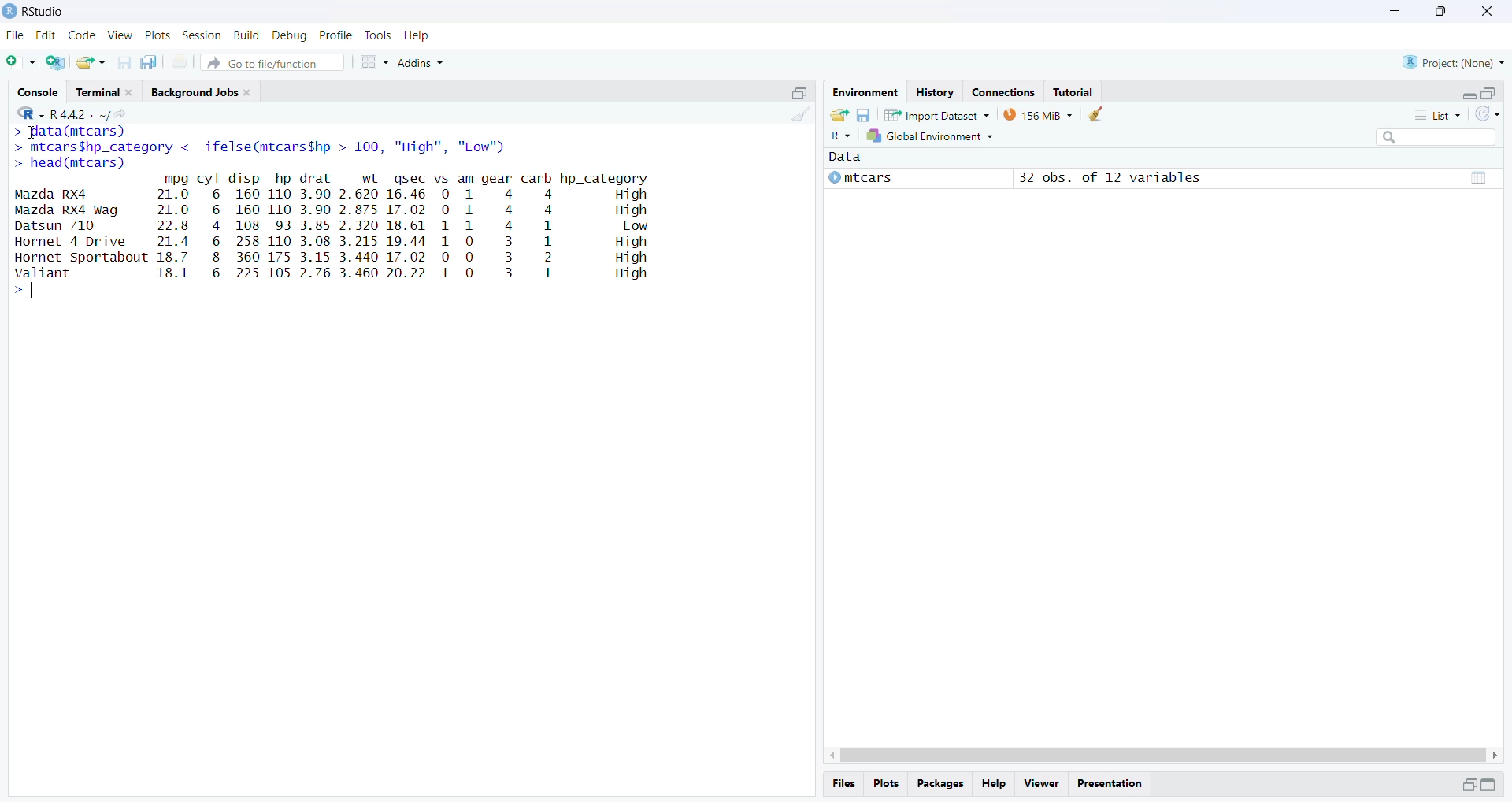 Image resolution: width=1512 pixels, height=802 pixels. What do you see at coordinates (826, 752) in the screenshot?
I see `Left` at bounding box center [826, 752].